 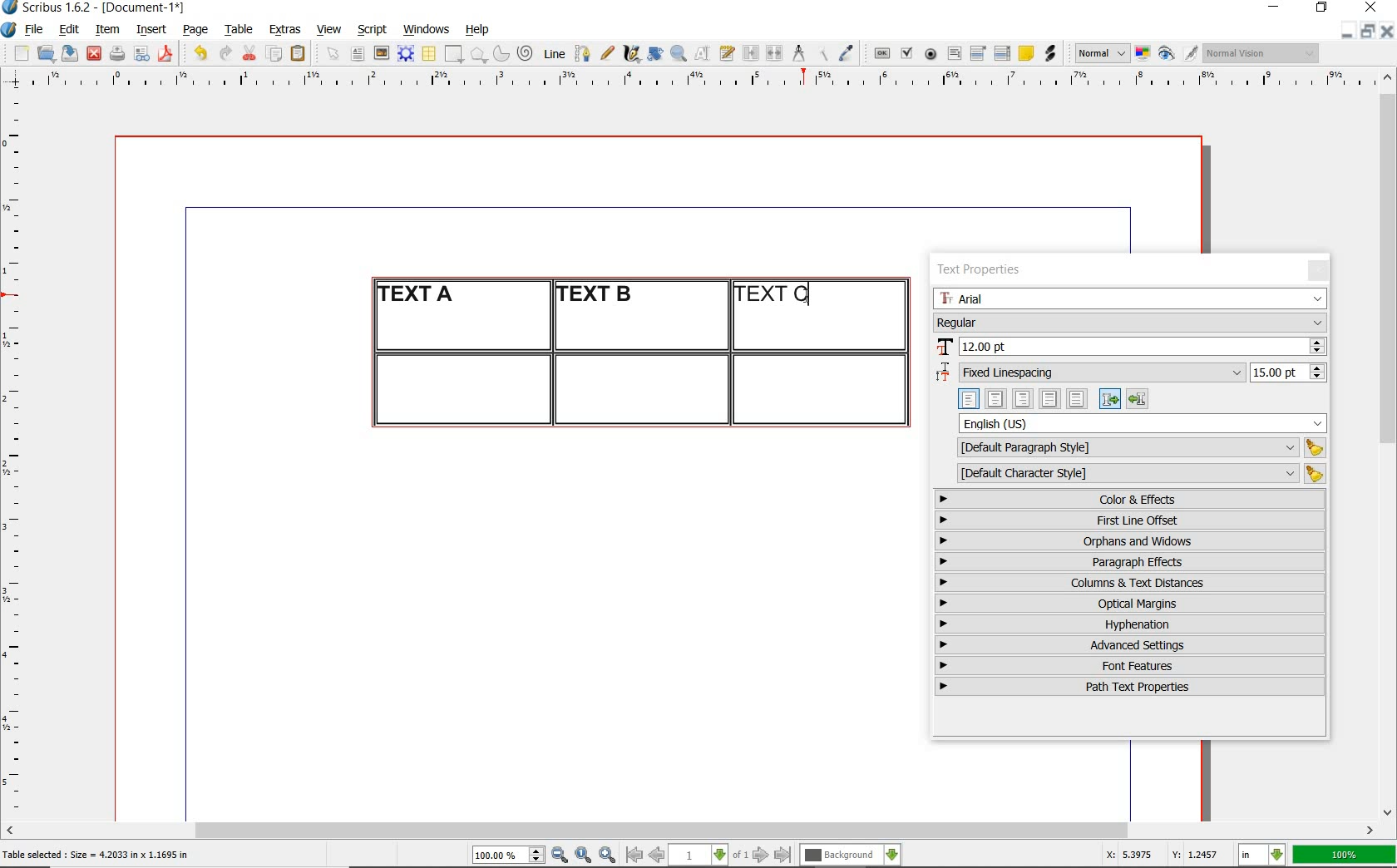 What do you see at coordinates (526, 53) in the screenshot?
I see `spiral` at bounding box center [526, 53].